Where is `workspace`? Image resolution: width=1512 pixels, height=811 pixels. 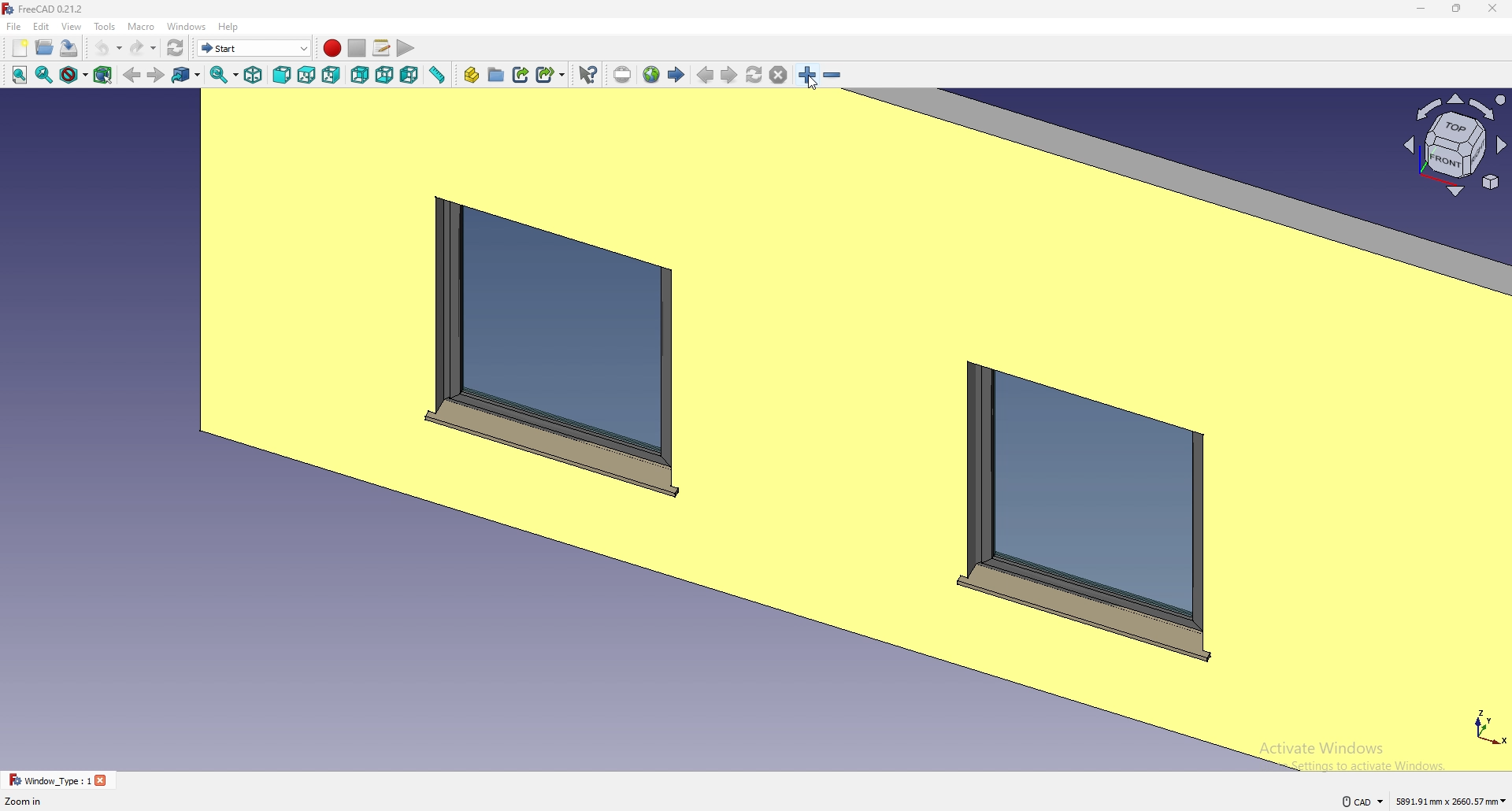 workspace is located at coordinates (696, 429).